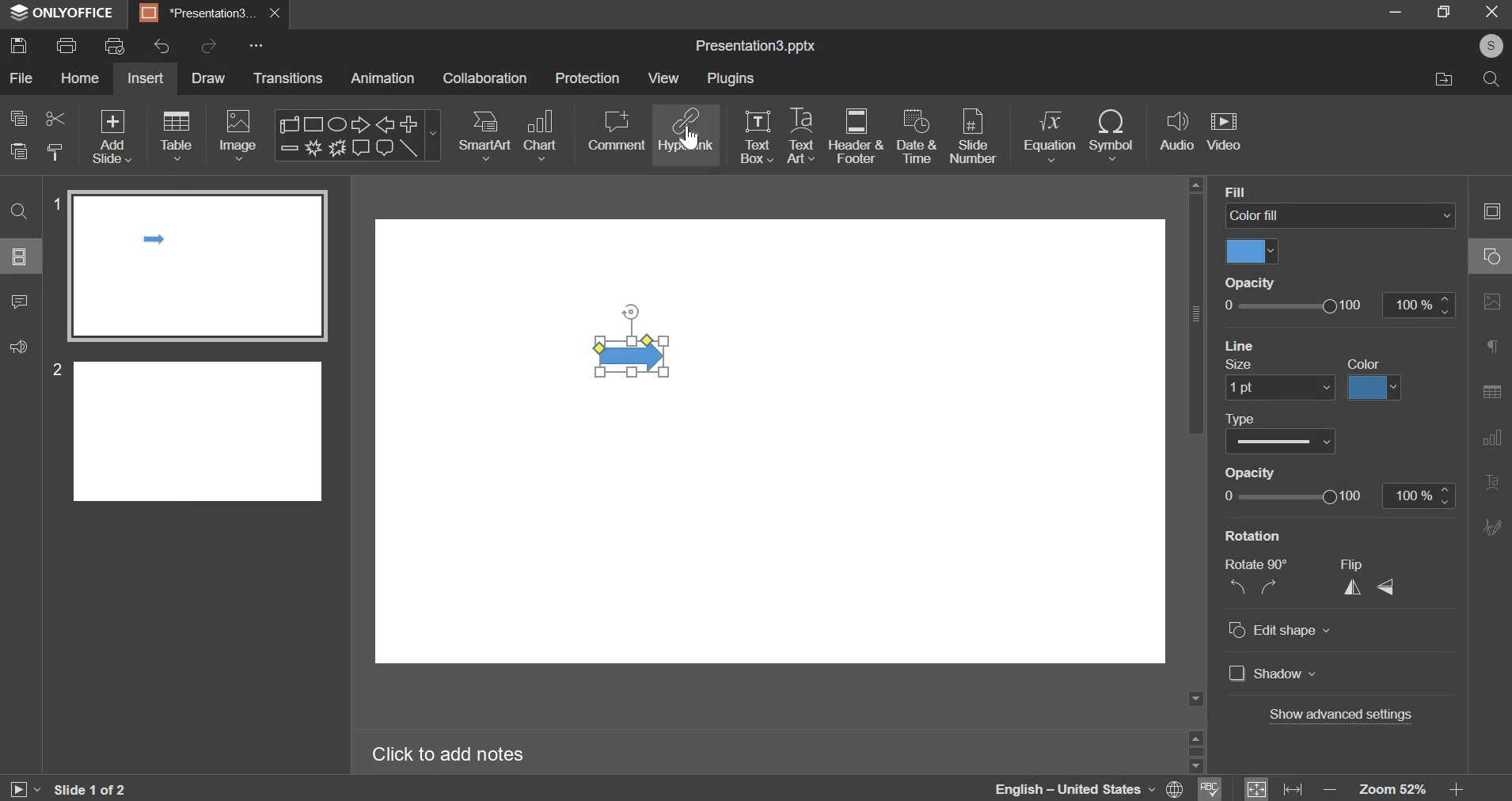 Image resolution: width=1512 pixels, height=801 pixels. Describe the element at coordinates (1419, 496) in the screenshot. I see `increase/decrease opacity` at that location.